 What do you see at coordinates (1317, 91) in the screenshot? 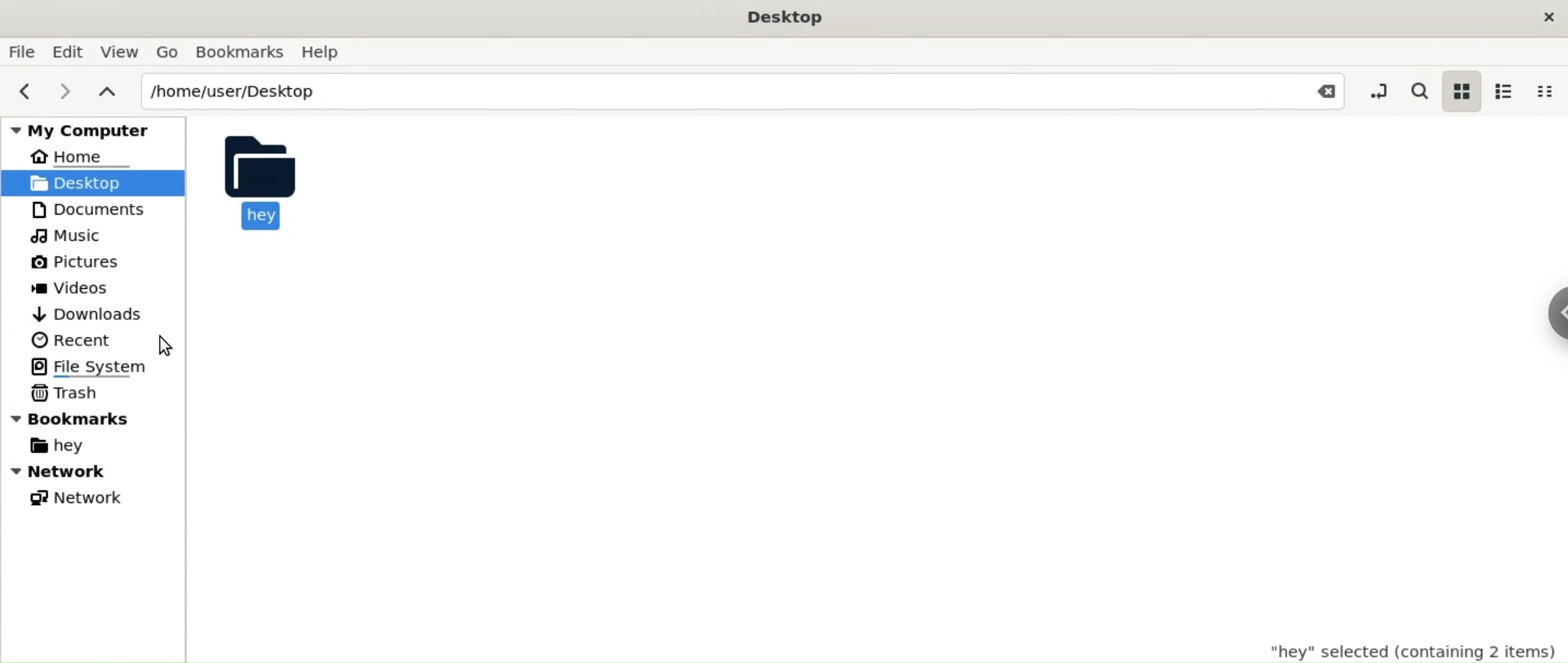
I see `Close` at bounding box center [1317, 91].